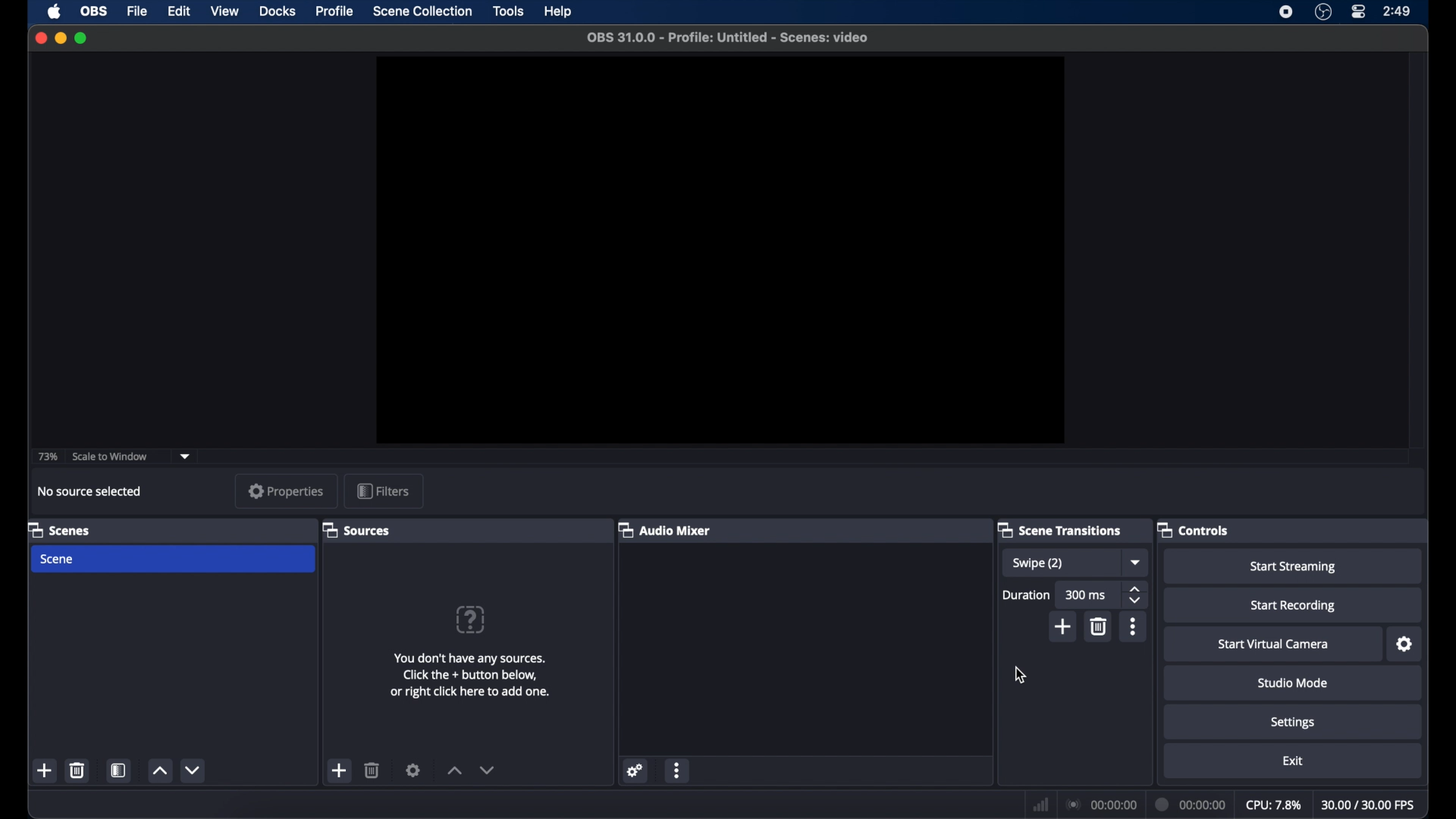  What do you see at coordinates (335, 11) in the screenshot?
I see `profile` at bounding box center [335, 11].